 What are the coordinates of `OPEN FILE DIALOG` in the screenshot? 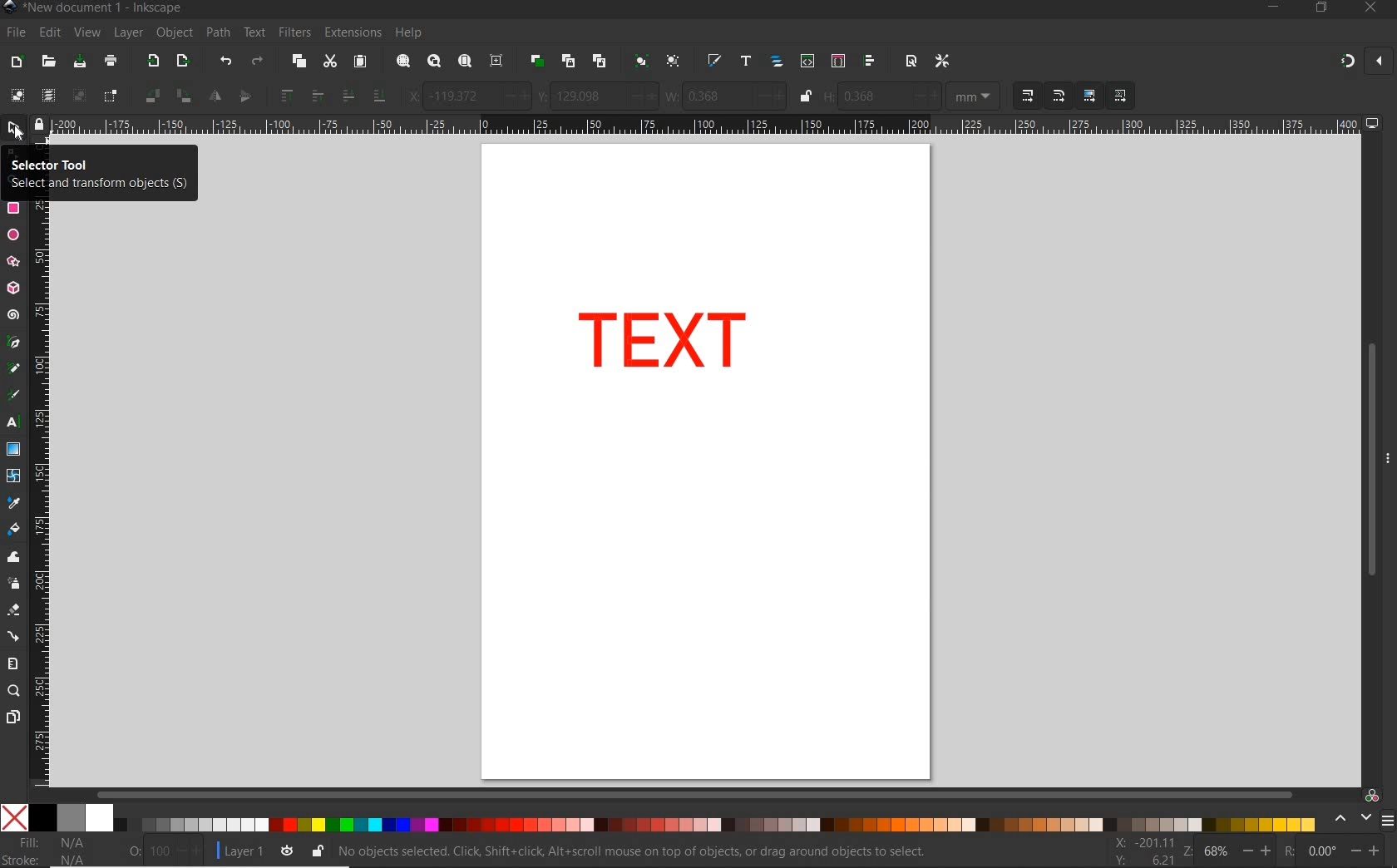 It's located at (48, 62).